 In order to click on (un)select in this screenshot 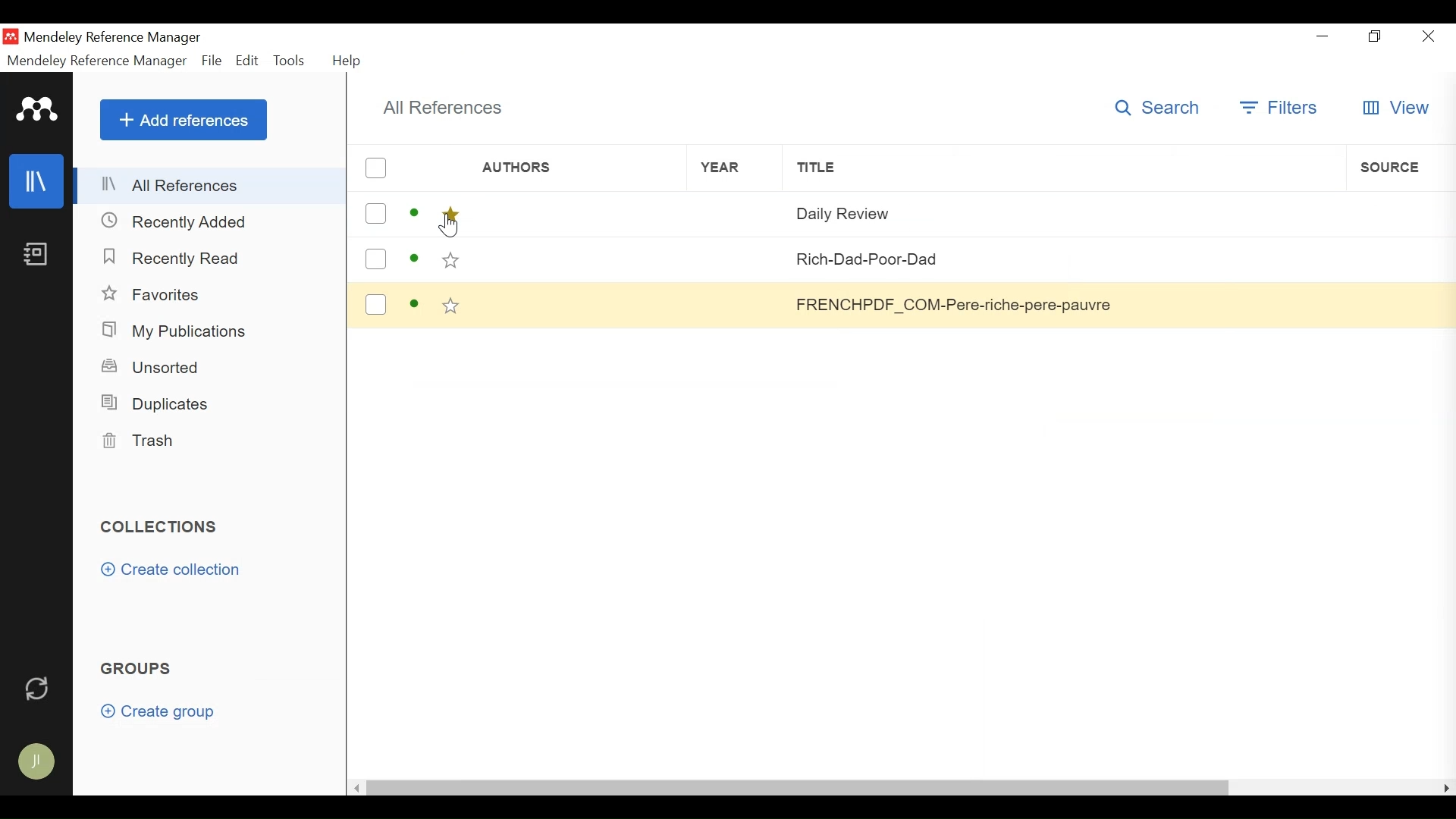, I will do `click(376, 303)`.